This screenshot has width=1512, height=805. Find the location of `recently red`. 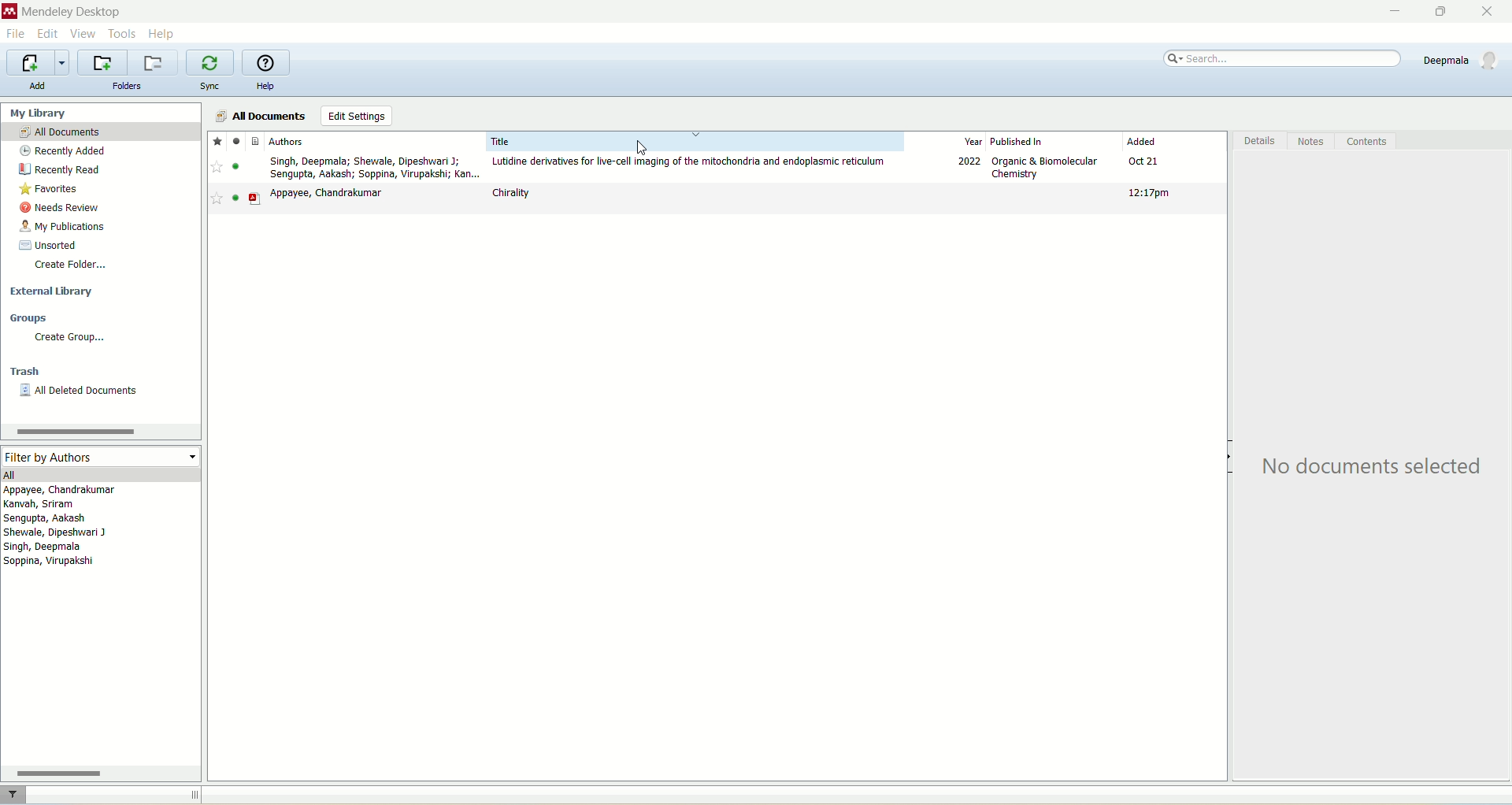

recently red is located at coordinates (62, 169).